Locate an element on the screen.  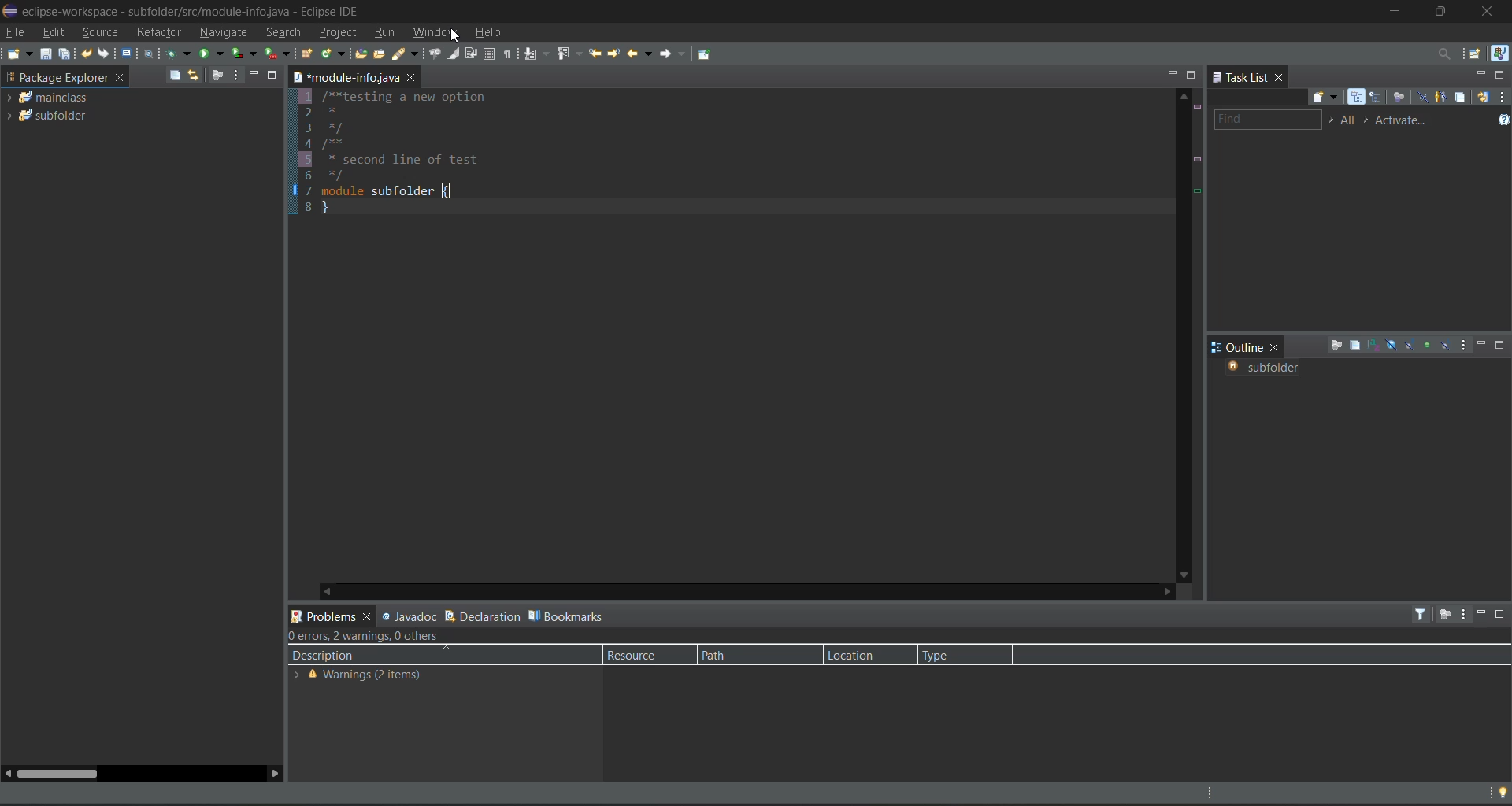
collapse all is located at coordinates (1464, 96).